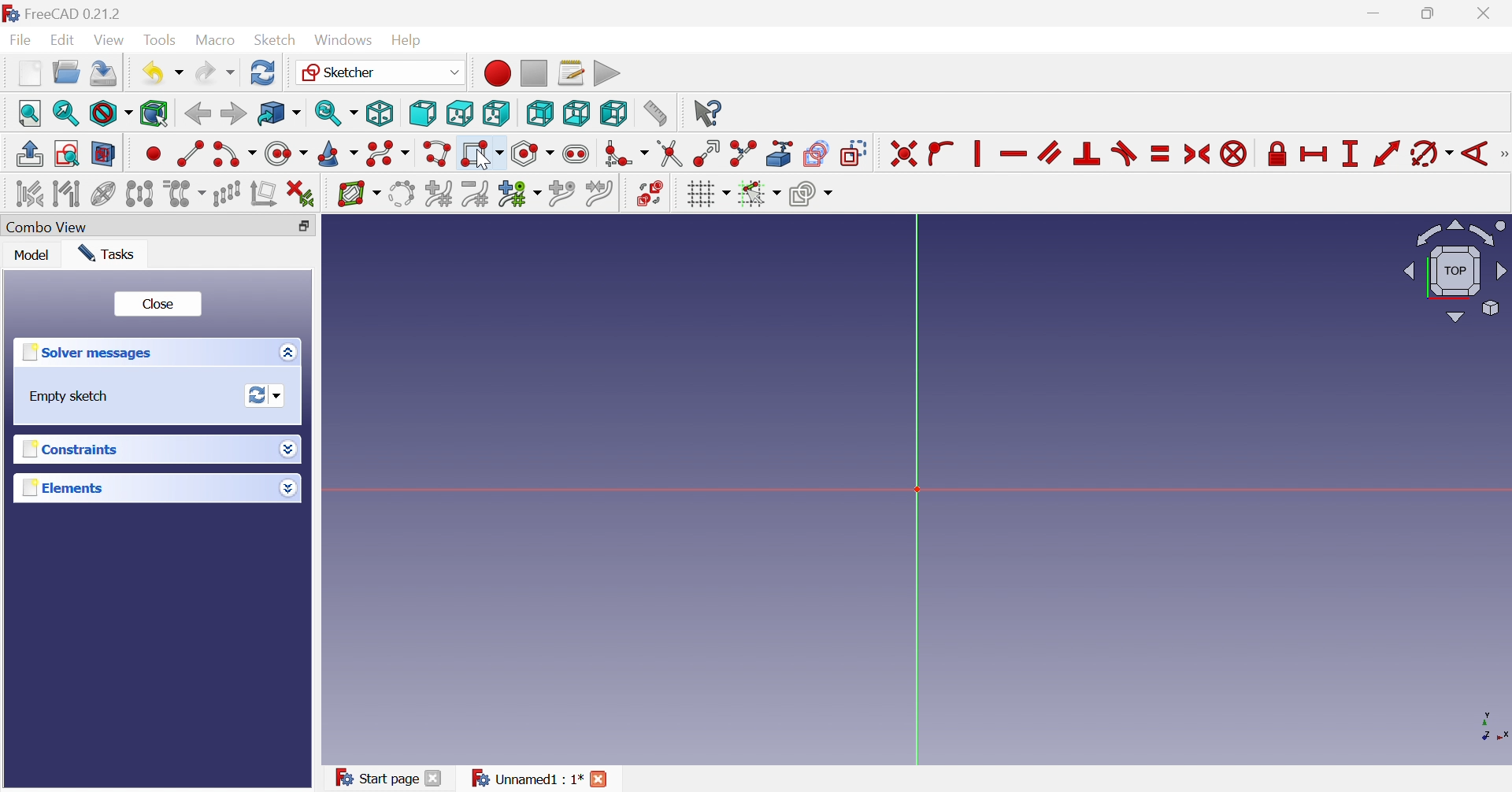 The image size is (1512, 792). Describe the element at coordinates (975, 154) in the screenshot. I see `Constrain vertically` at that location.